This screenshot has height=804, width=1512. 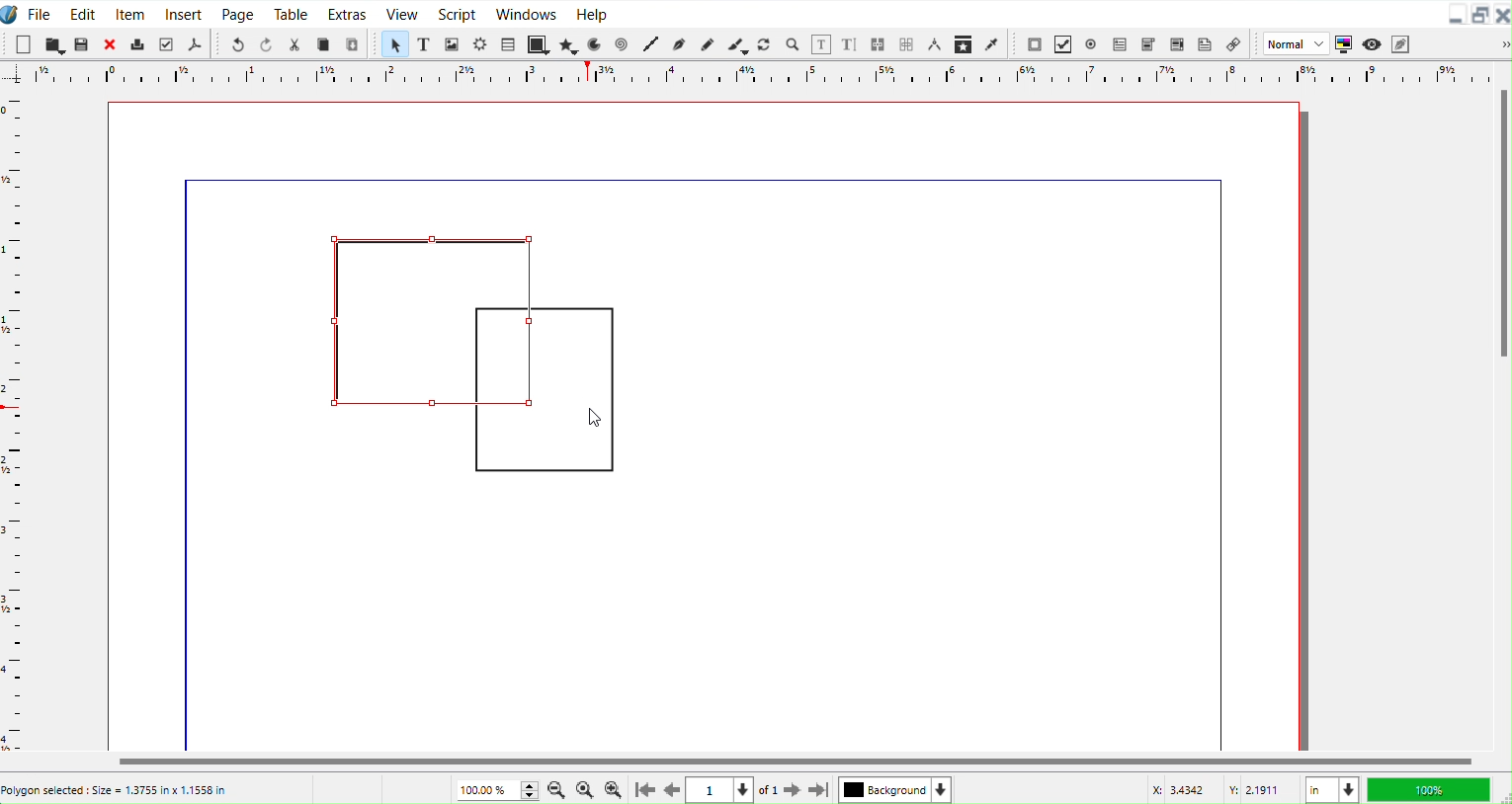 I want to click on Line, so click(x=653, y=45).